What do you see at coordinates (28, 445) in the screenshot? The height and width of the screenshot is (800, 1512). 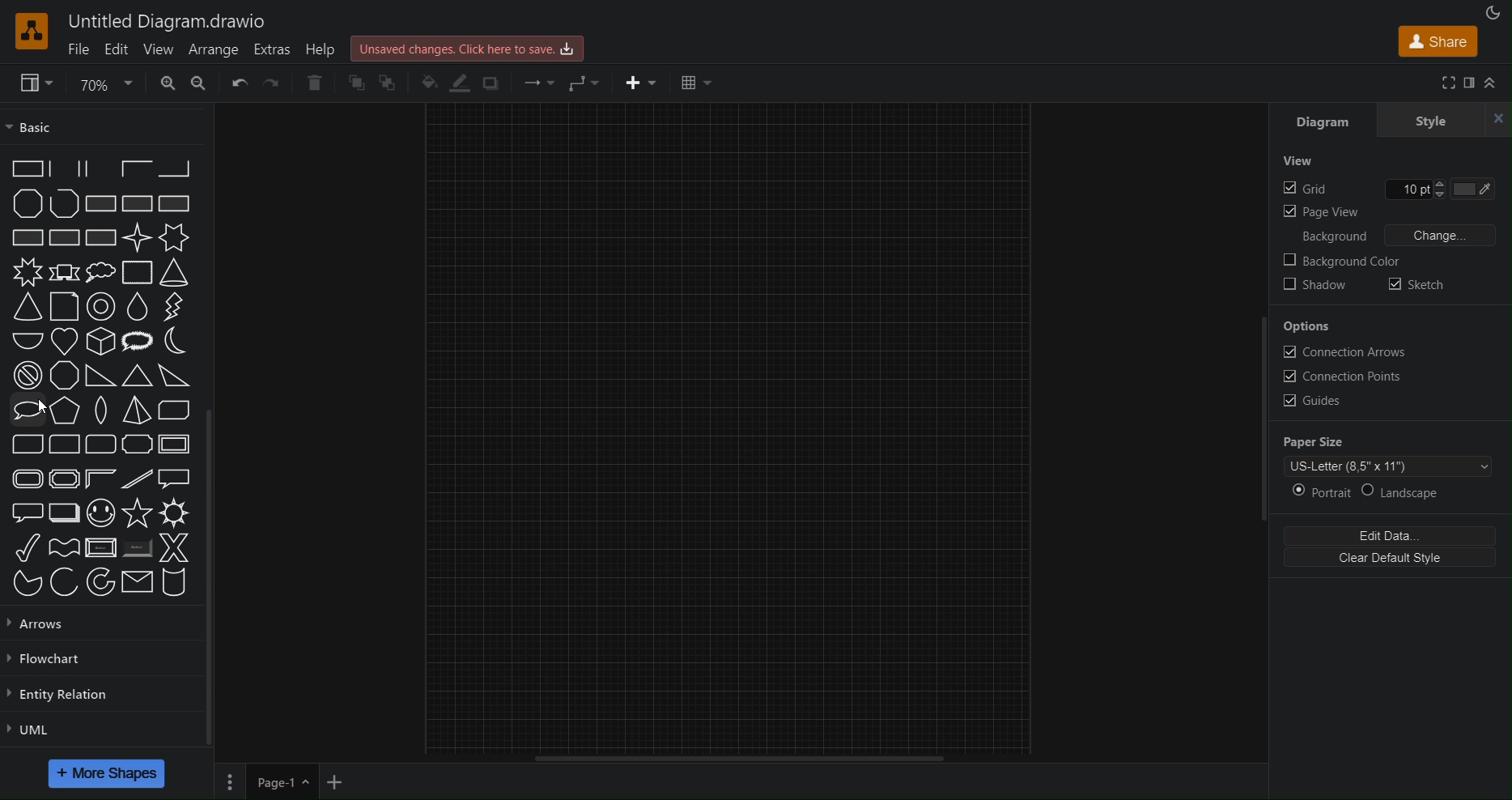 I see `Diagnol Rounded Rectangle` at bounding box center [28, 445].